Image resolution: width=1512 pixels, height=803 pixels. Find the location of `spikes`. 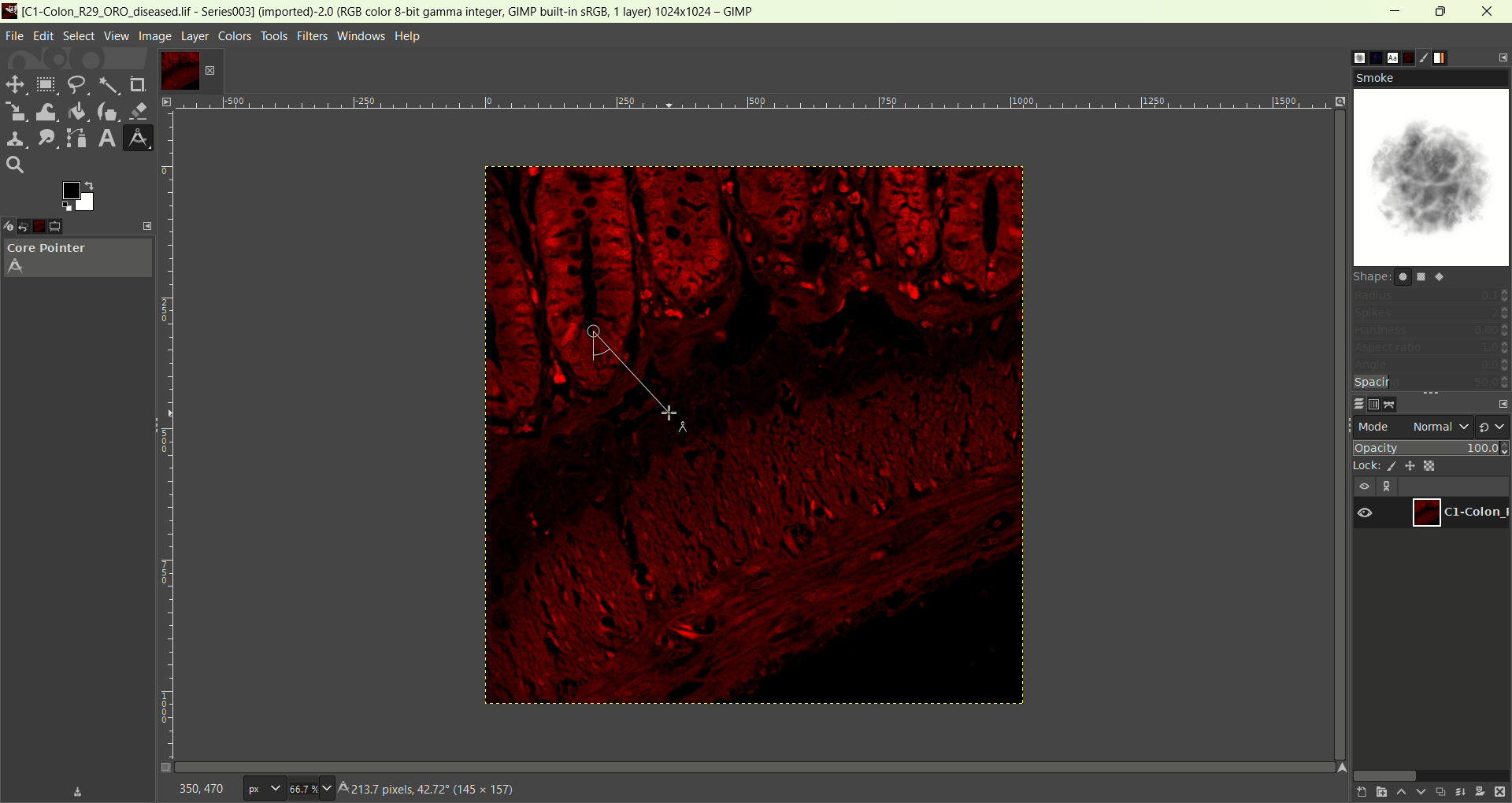

spikes is located at coordinates (1431, 315).